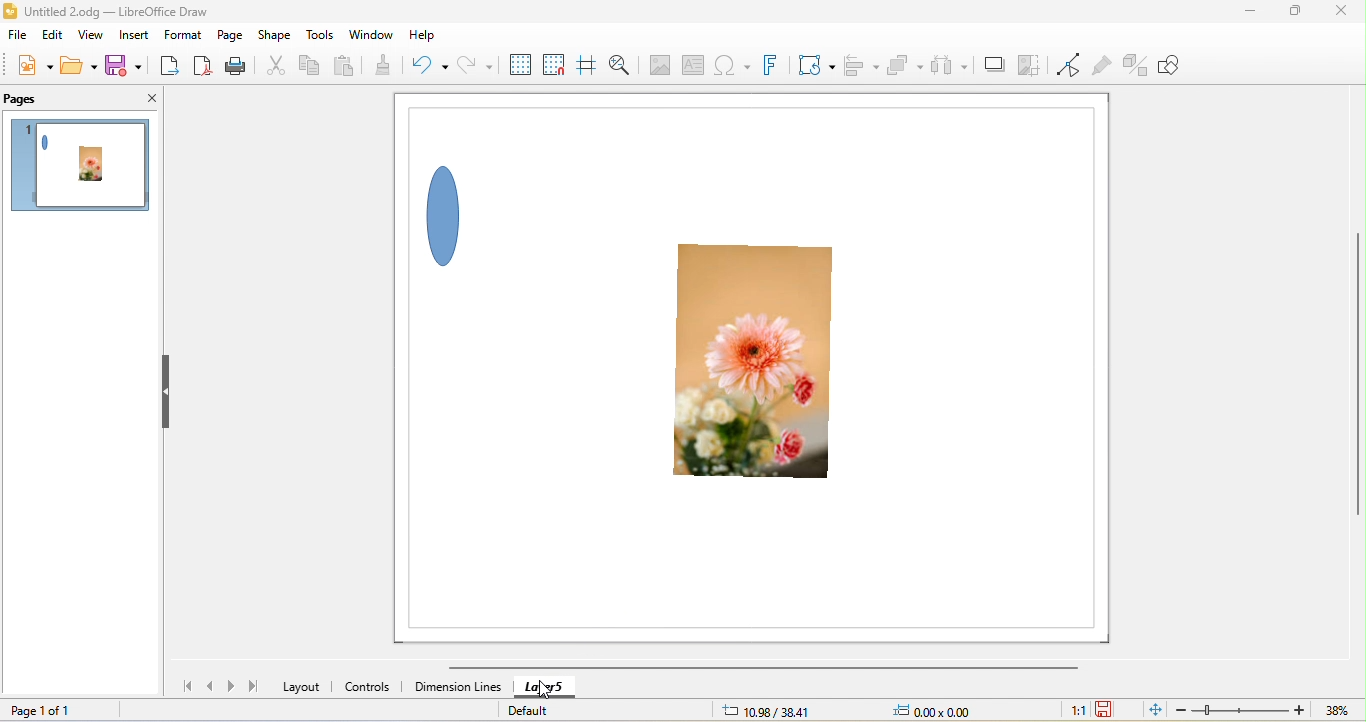 The height and width of the screenshot is (722, 1366). What do you see at coordinates (759, 370) in the screenshot?
I see `photo` at bounding box center [759, 370].